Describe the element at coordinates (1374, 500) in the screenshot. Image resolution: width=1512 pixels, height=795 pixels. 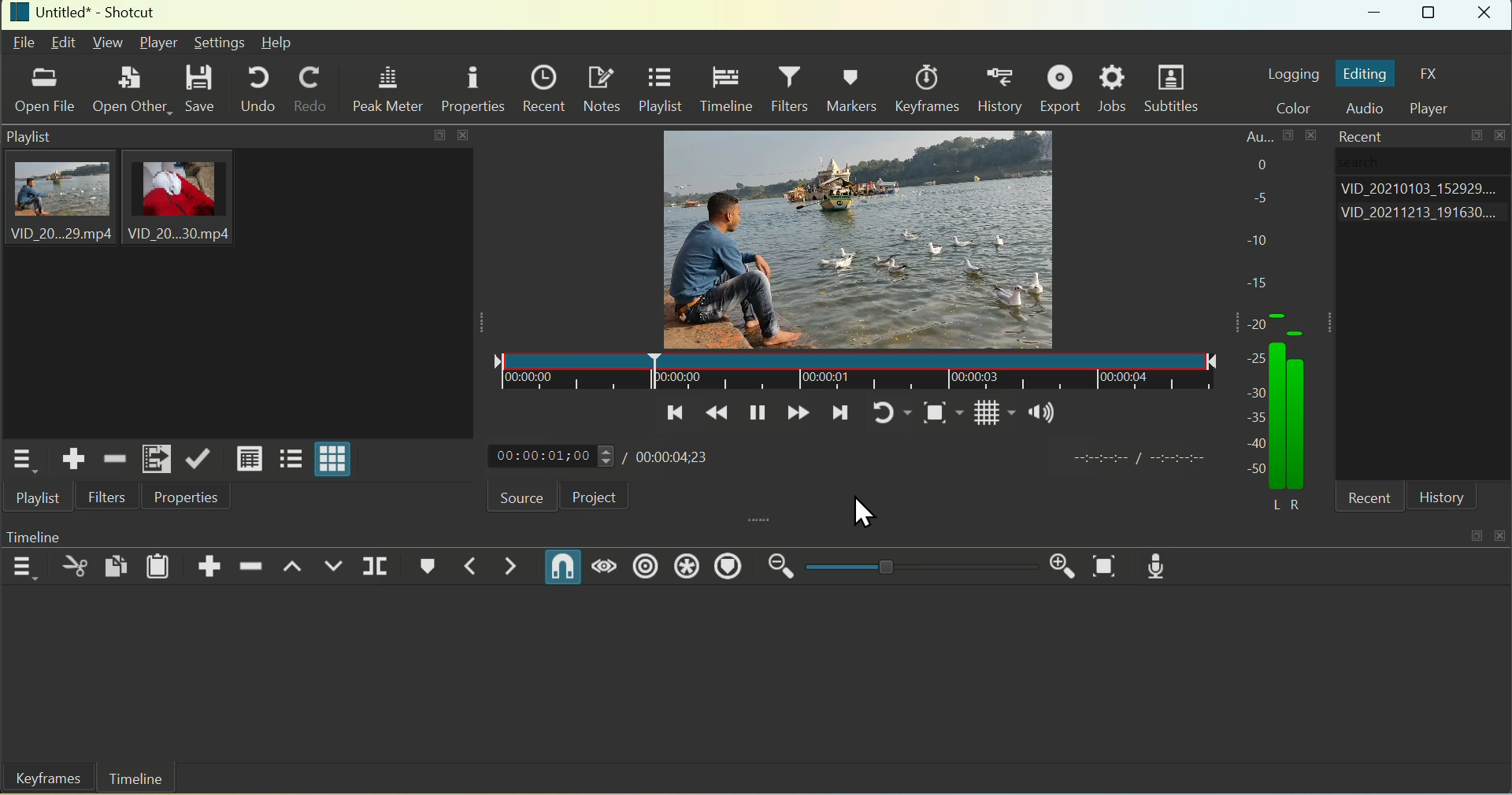
I see `Recent` at that location.